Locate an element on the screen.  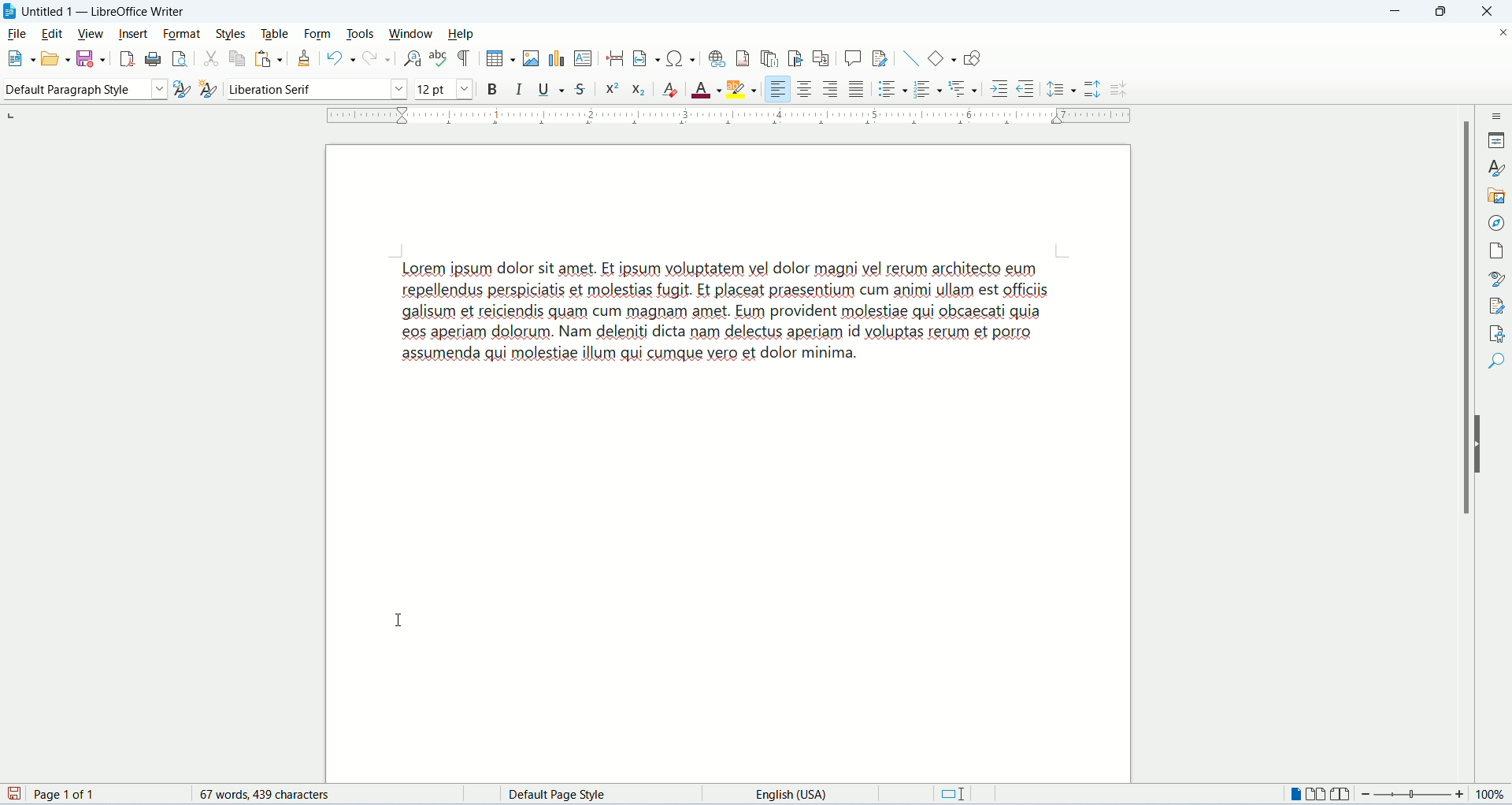
unordered list is located at coordinates (887, 90).